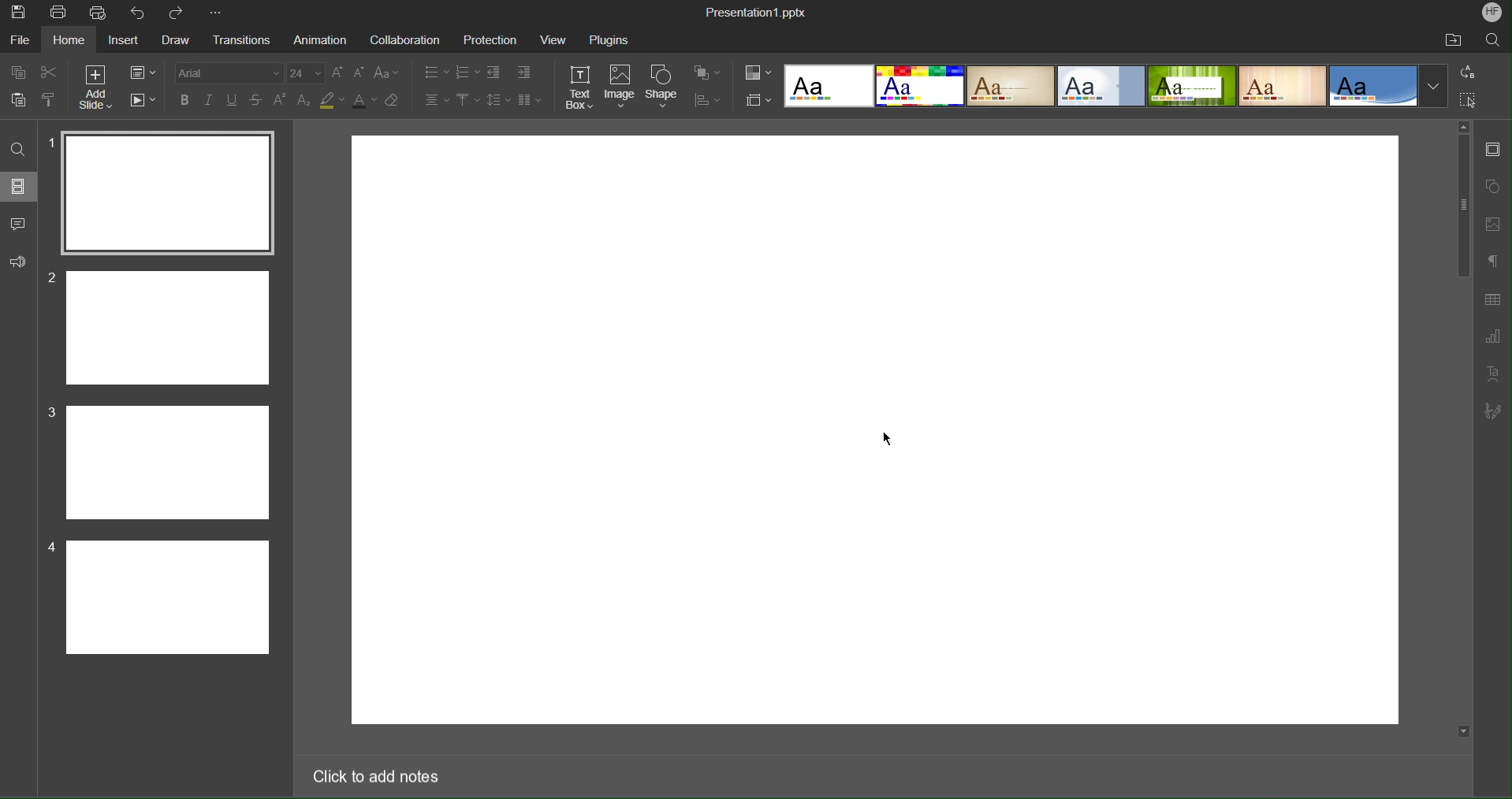 This screenshot has height=799, width=1512. What do you see at coordinates (1119, 86) in the screenshot?
I see `Templates` at bounding box center [1119, 86].